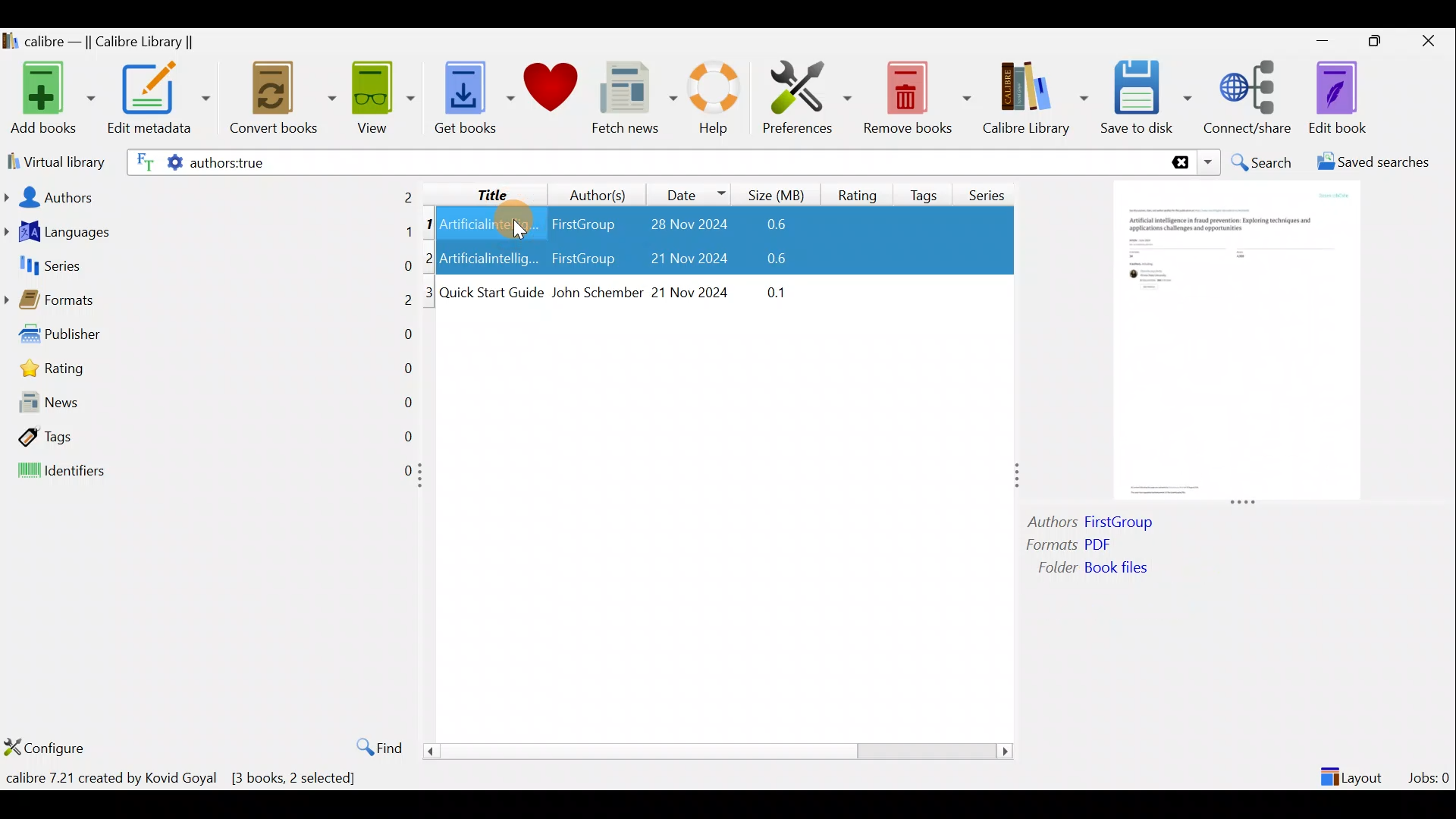  What do you see at coordinates (551, 93) in the screenshot?
I see `Donate` at bounding box center [551, 93].